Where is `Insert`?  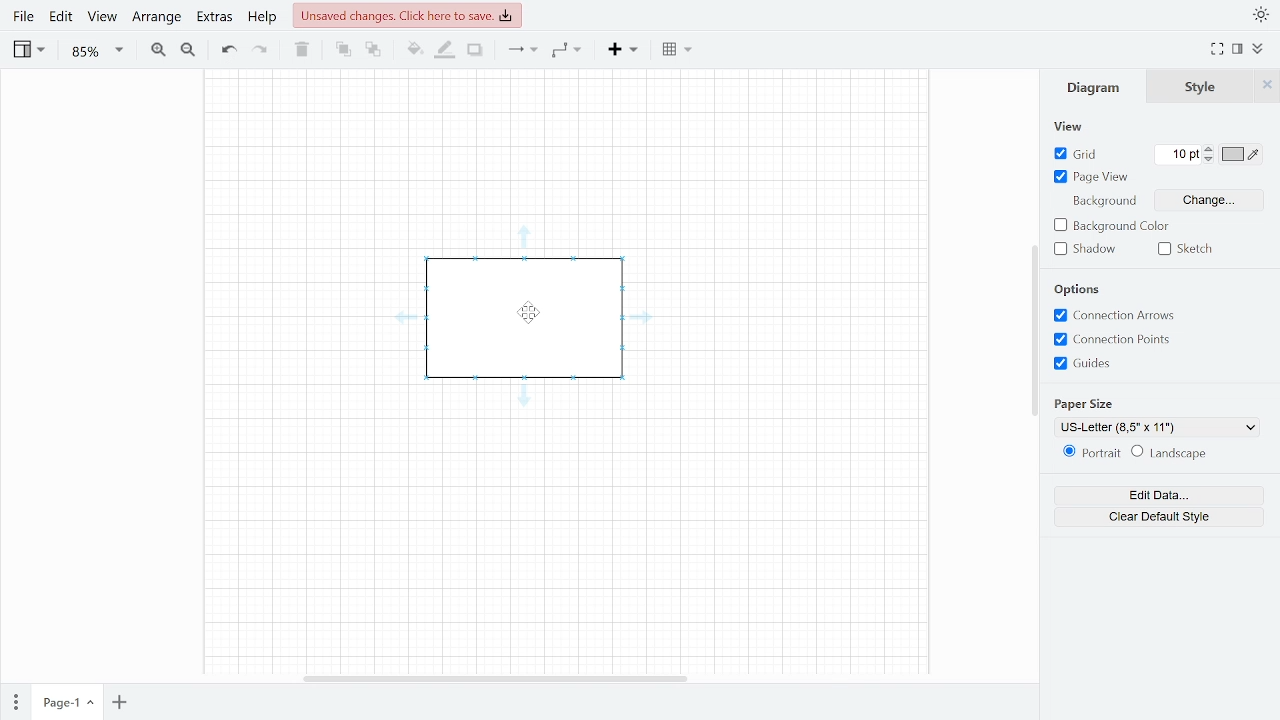 Insert is located at coordinates (622, 51).